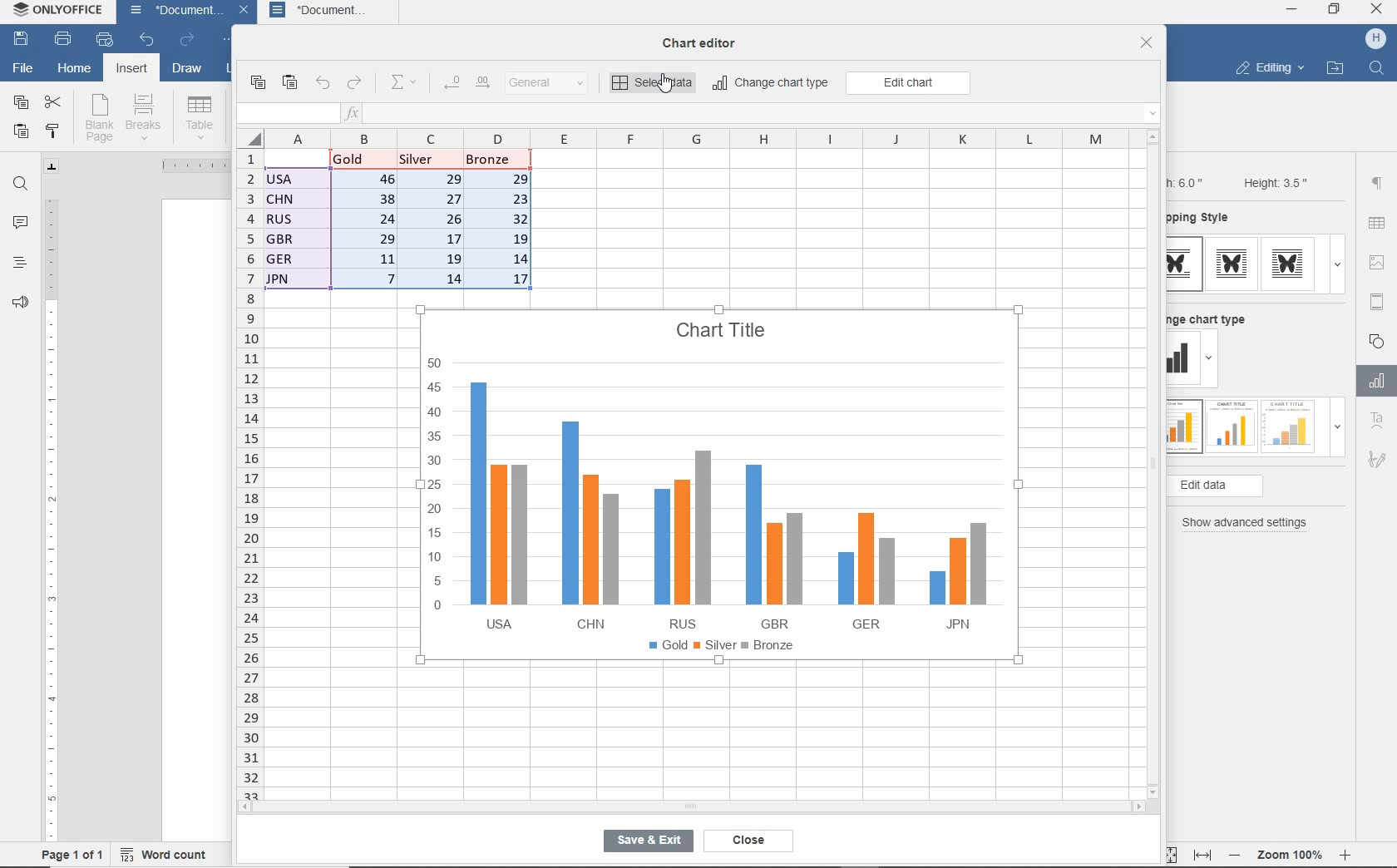 The image size is (1397, 868). What do you see at coordinates (1337, 432) in the screenshot?
I see `dropdown` at bounding box center [1337, 432].